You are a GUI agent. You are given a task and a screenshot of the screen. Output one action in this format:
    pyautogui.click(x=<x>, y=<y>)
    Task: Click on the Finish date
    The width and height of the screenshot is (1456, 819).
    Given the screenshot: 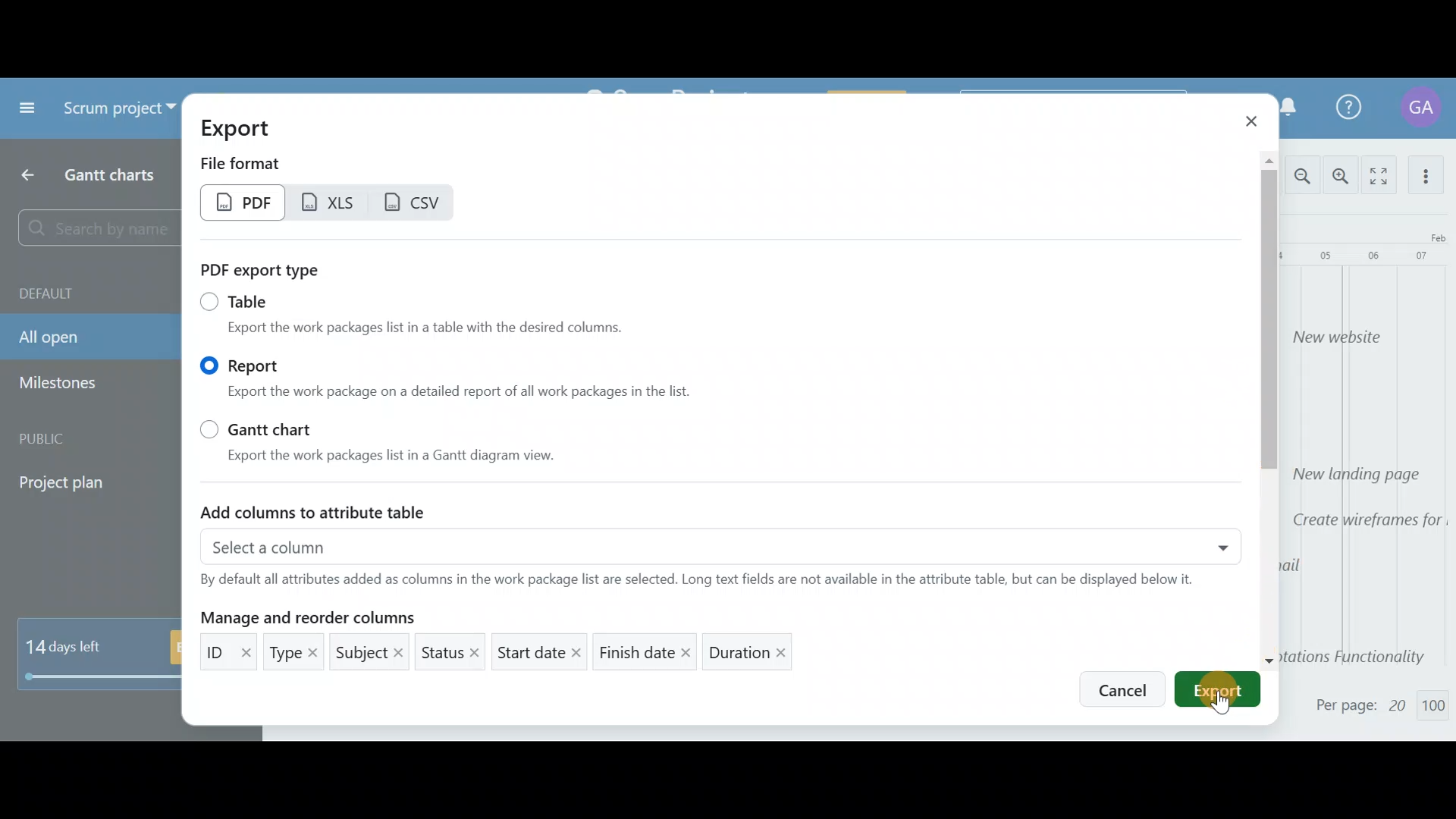 What is the action you would take?
    pyautogui.click(x=642, y=652)
    